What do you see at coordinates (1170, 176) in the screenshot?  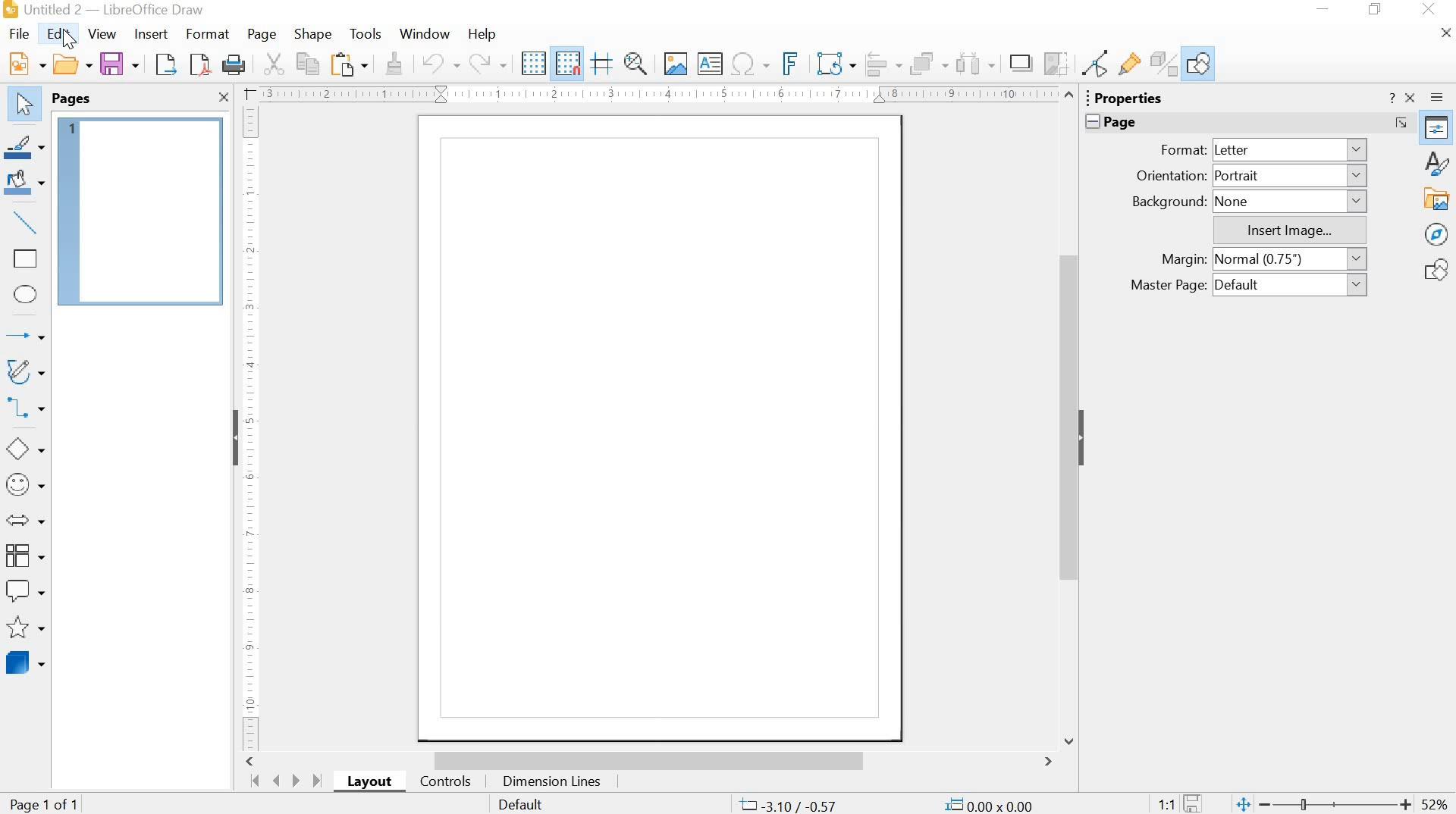 I see `Orientation` at bounding box center [1170, 176].